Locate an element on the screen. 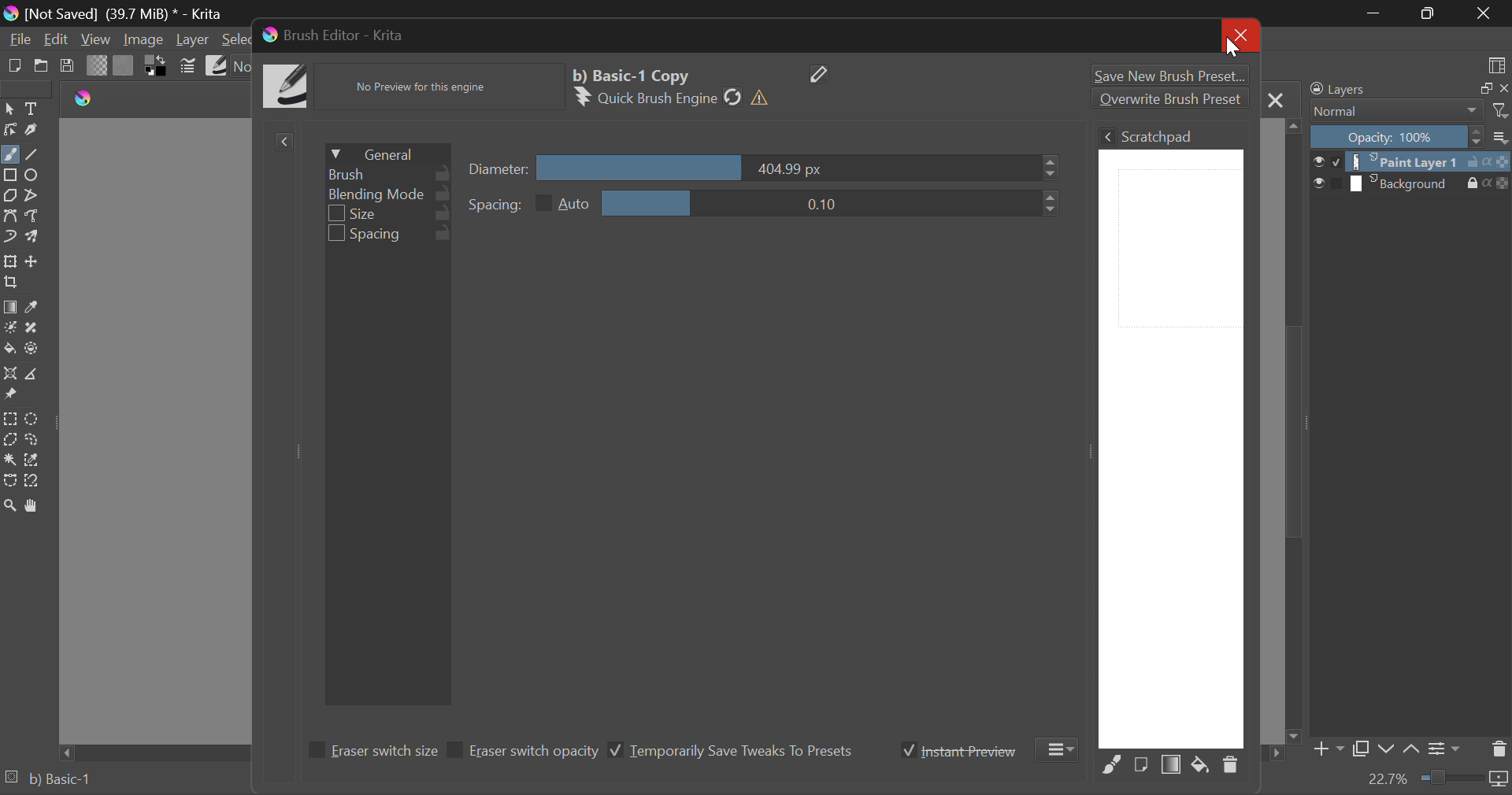  Save is located at coordinates (68, 66).